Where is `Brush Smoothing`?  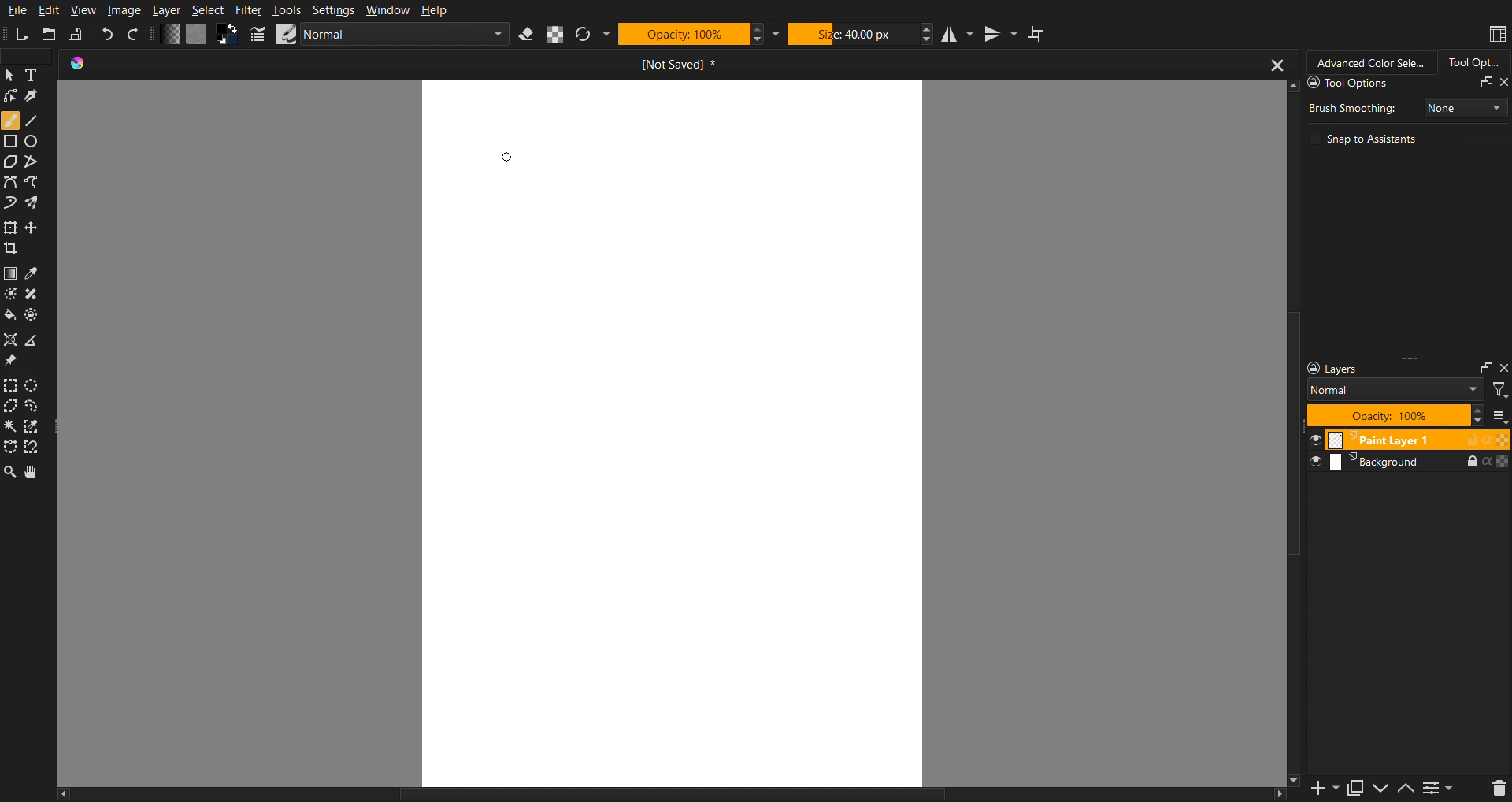 Brush Smoothing is located at coordinates (1351, 106).